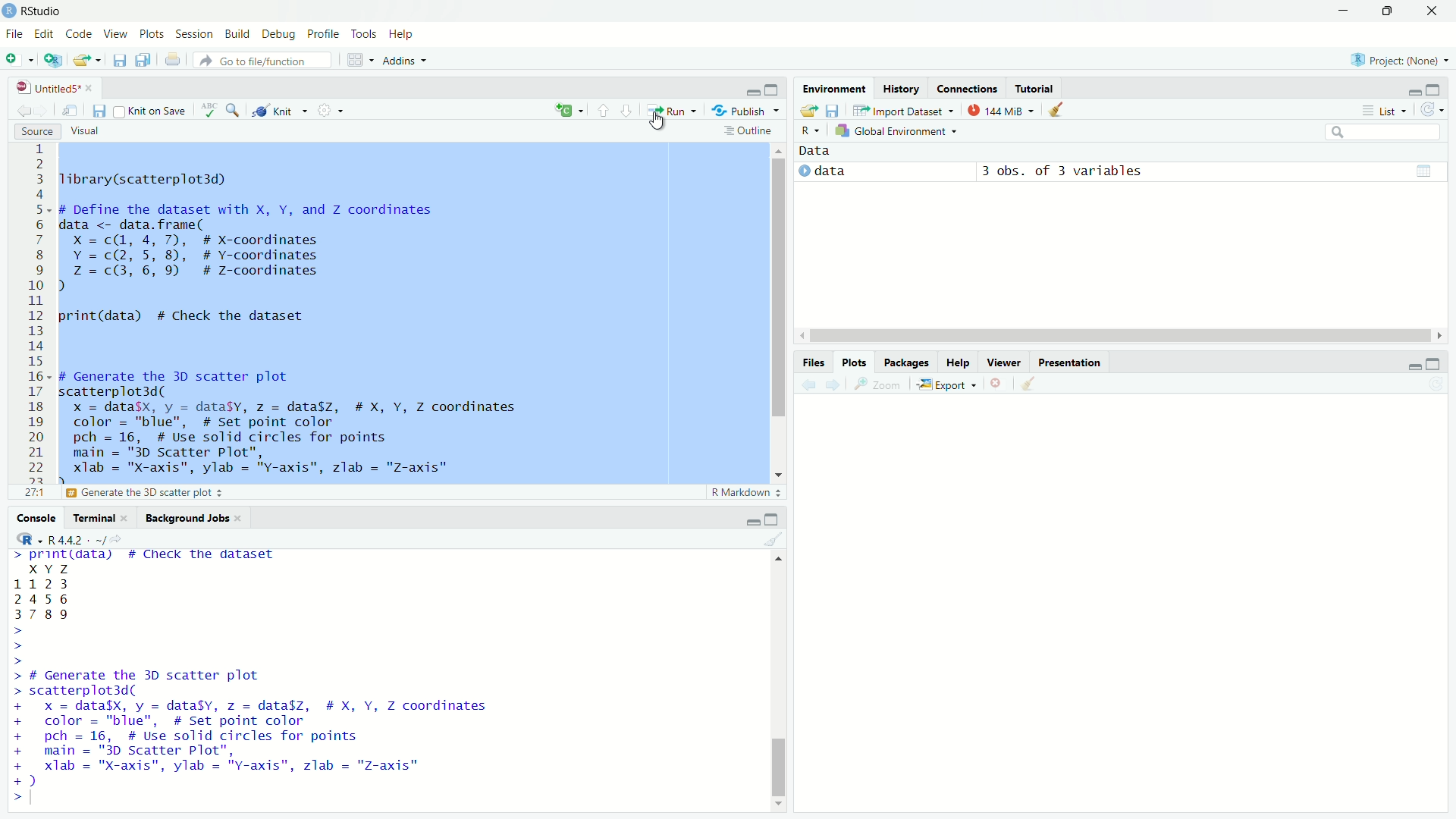  Describe the element at coordinates (80, 35) in the screenshot. I see `code` at that location.